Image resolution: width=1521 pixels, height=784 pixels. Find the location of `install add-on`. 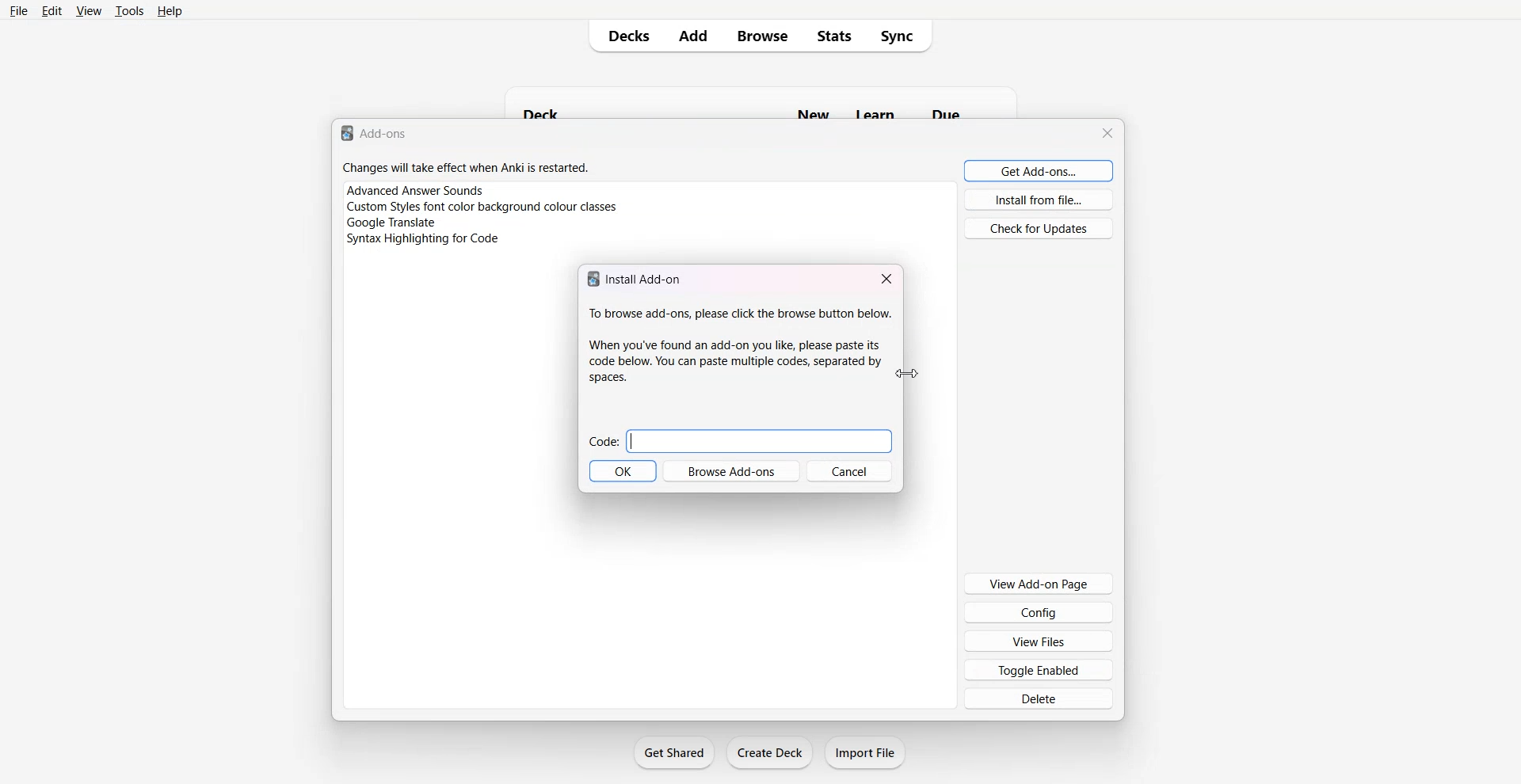

install add-on is located at coordinates (638, 277).